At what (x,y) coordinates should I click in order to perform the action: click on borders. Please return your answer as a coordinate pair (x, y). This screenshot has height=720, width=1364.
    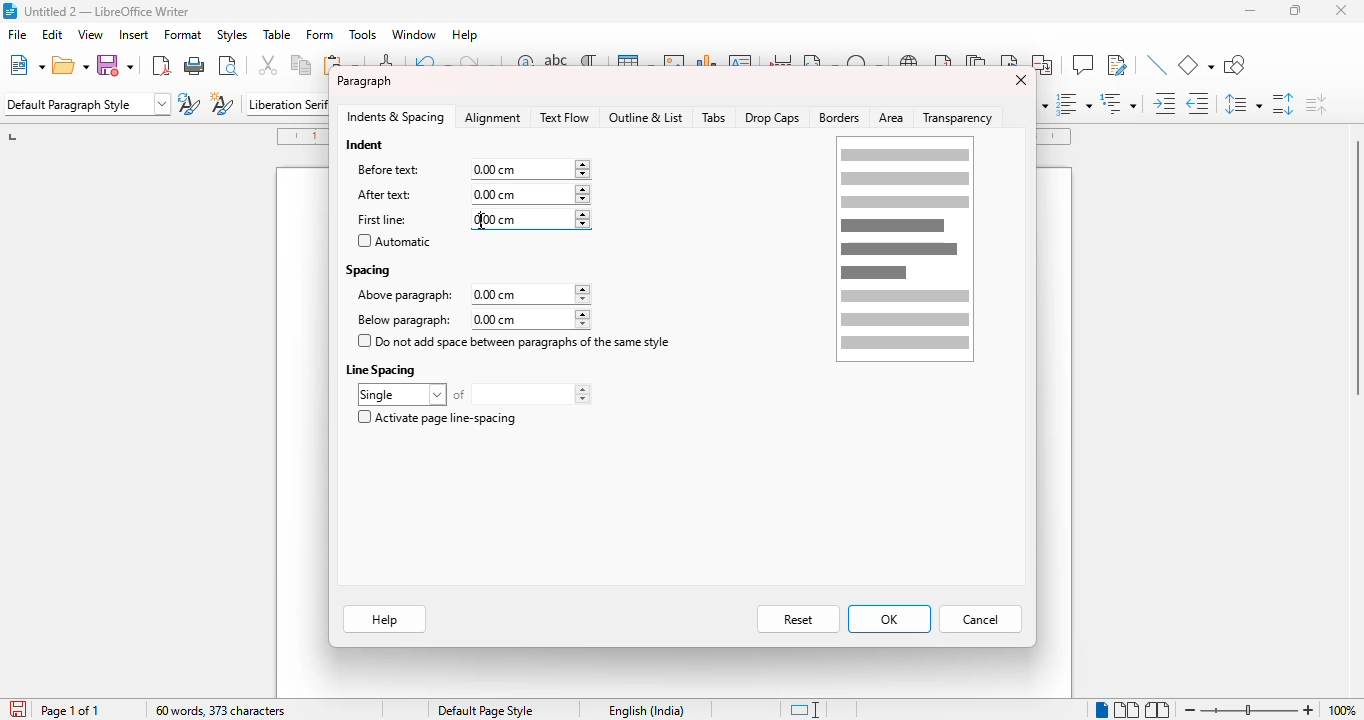
    Looking at the image, I should click on (840, 118).